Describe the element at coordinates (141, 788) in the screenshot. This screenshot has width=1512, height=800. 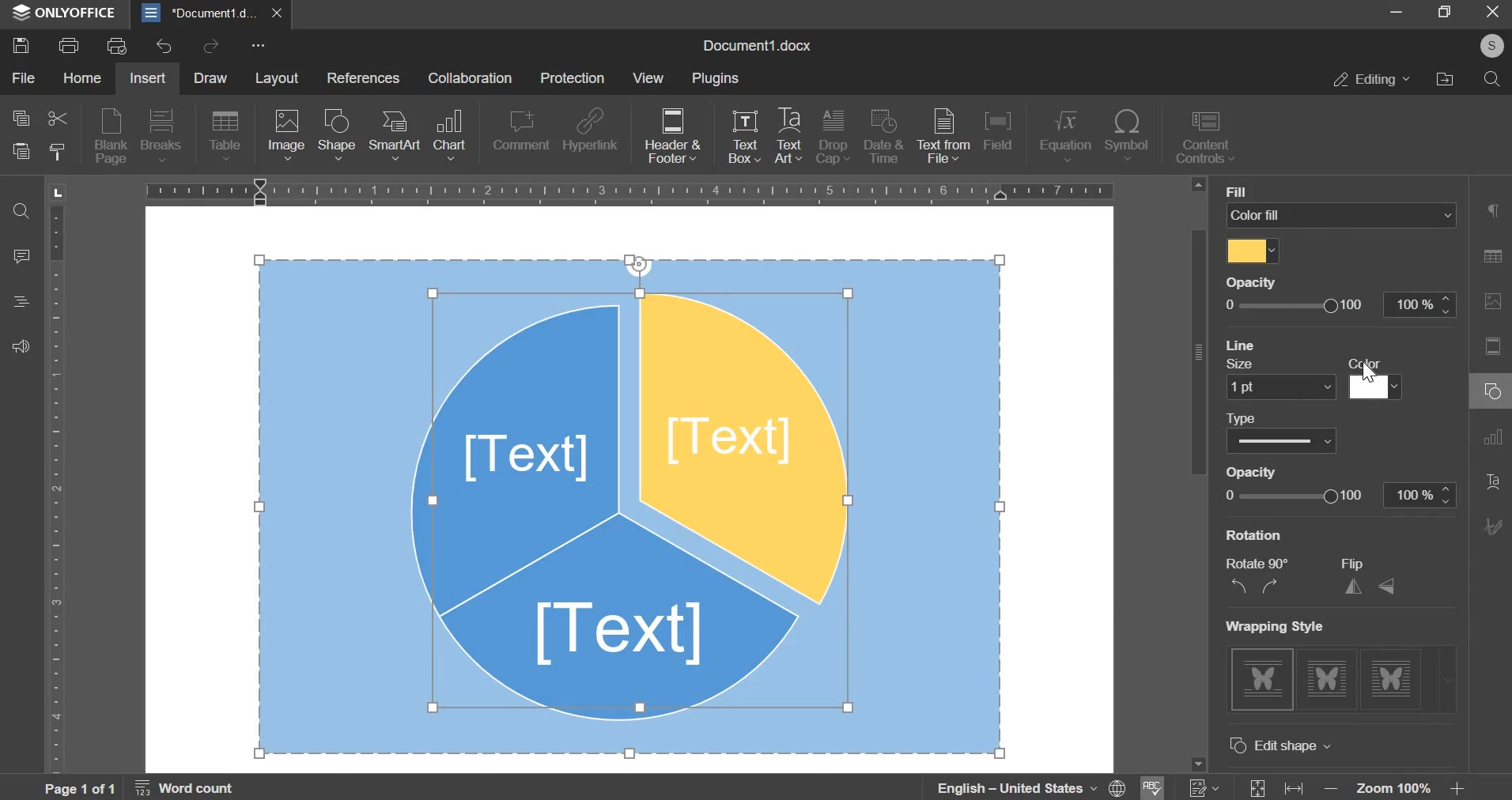
I see `page and word count` at that location.